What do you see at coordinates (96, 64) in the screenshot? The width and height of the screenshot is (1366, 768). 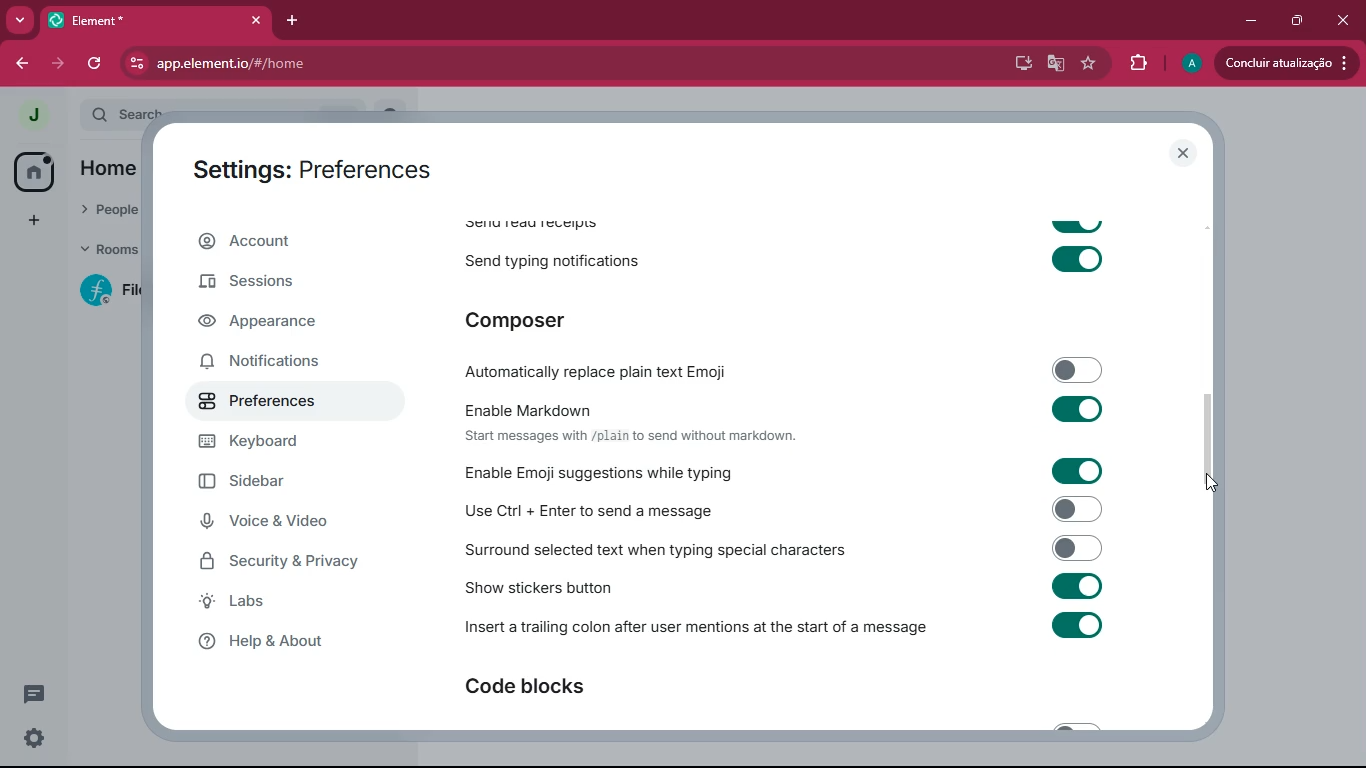 I see `refresh` at bounding box center [96, 64].